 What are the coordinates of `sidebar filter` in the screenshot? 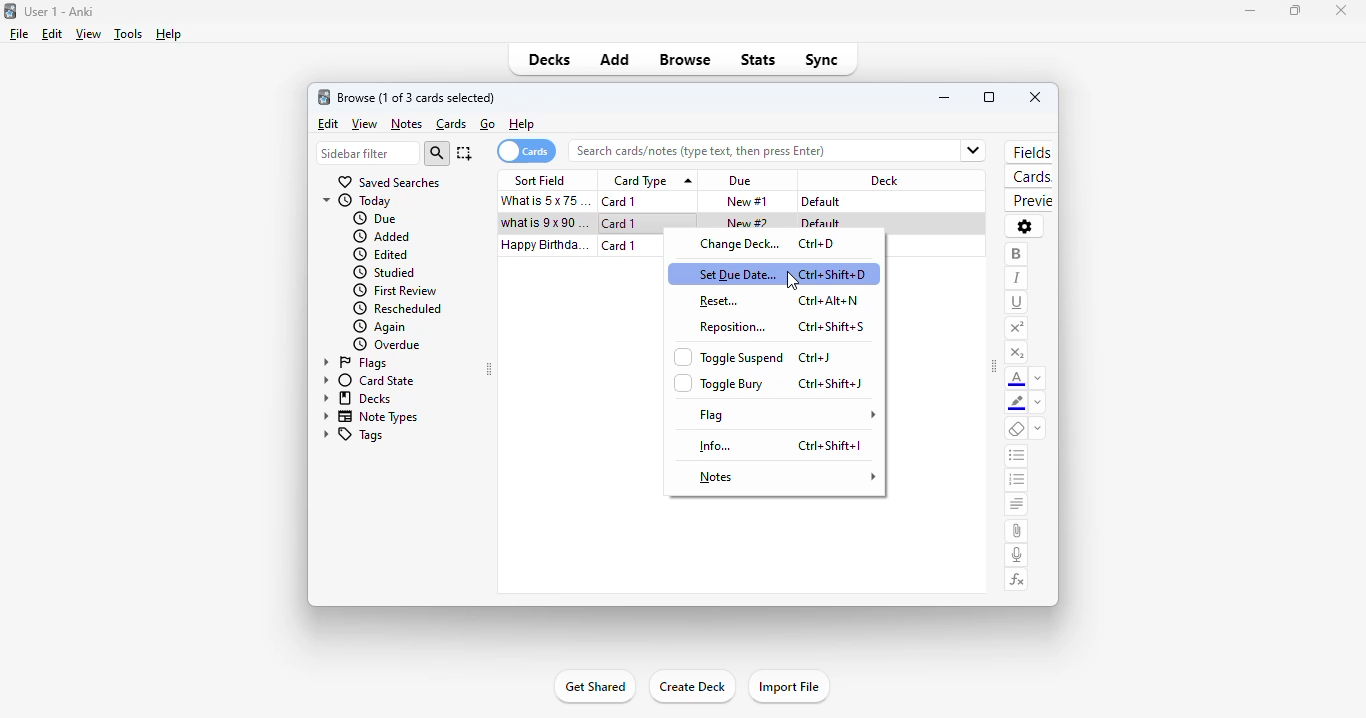 It's located at (369, 153).